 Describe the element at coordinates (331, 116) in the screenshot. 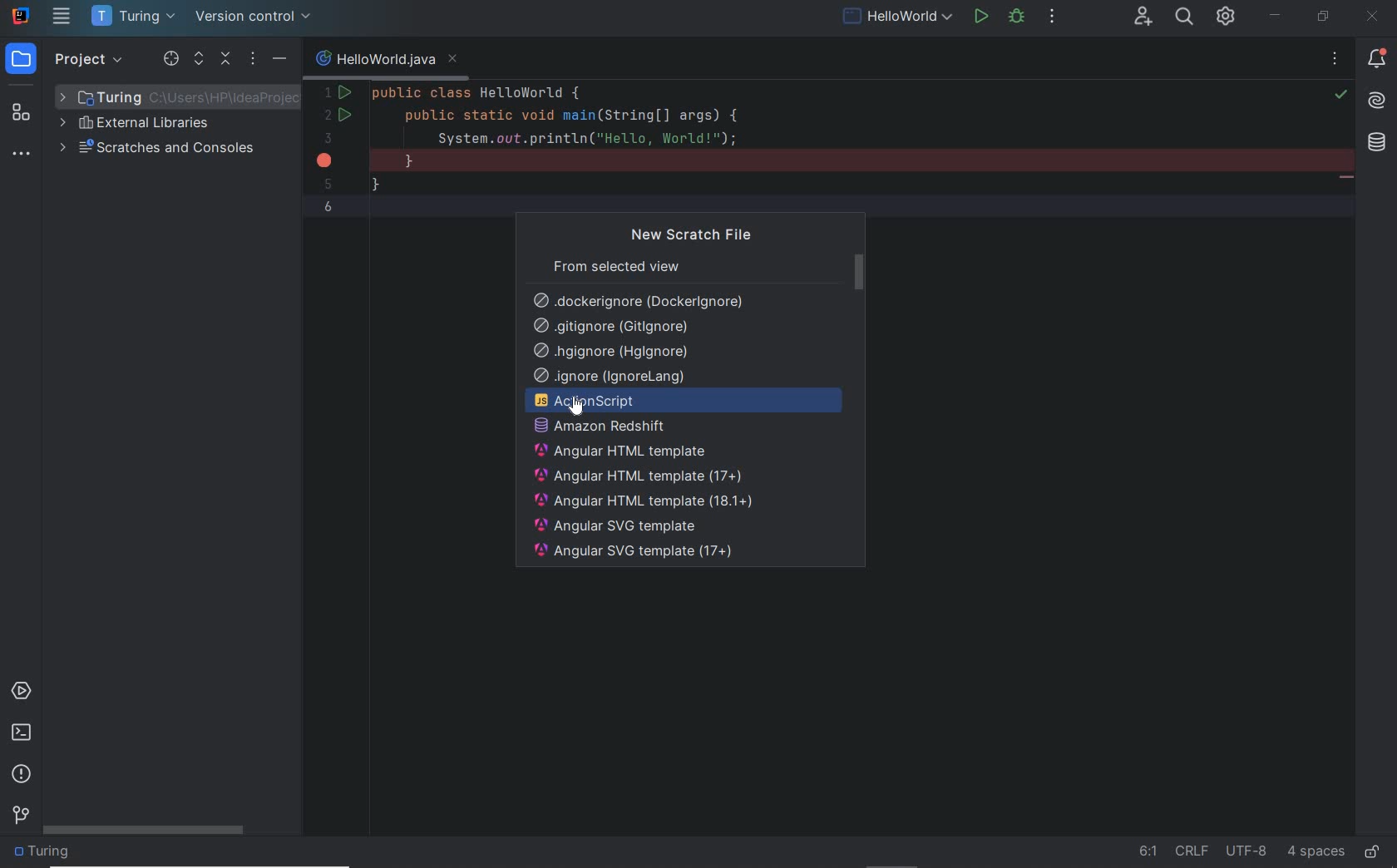

I see `2` at that location.